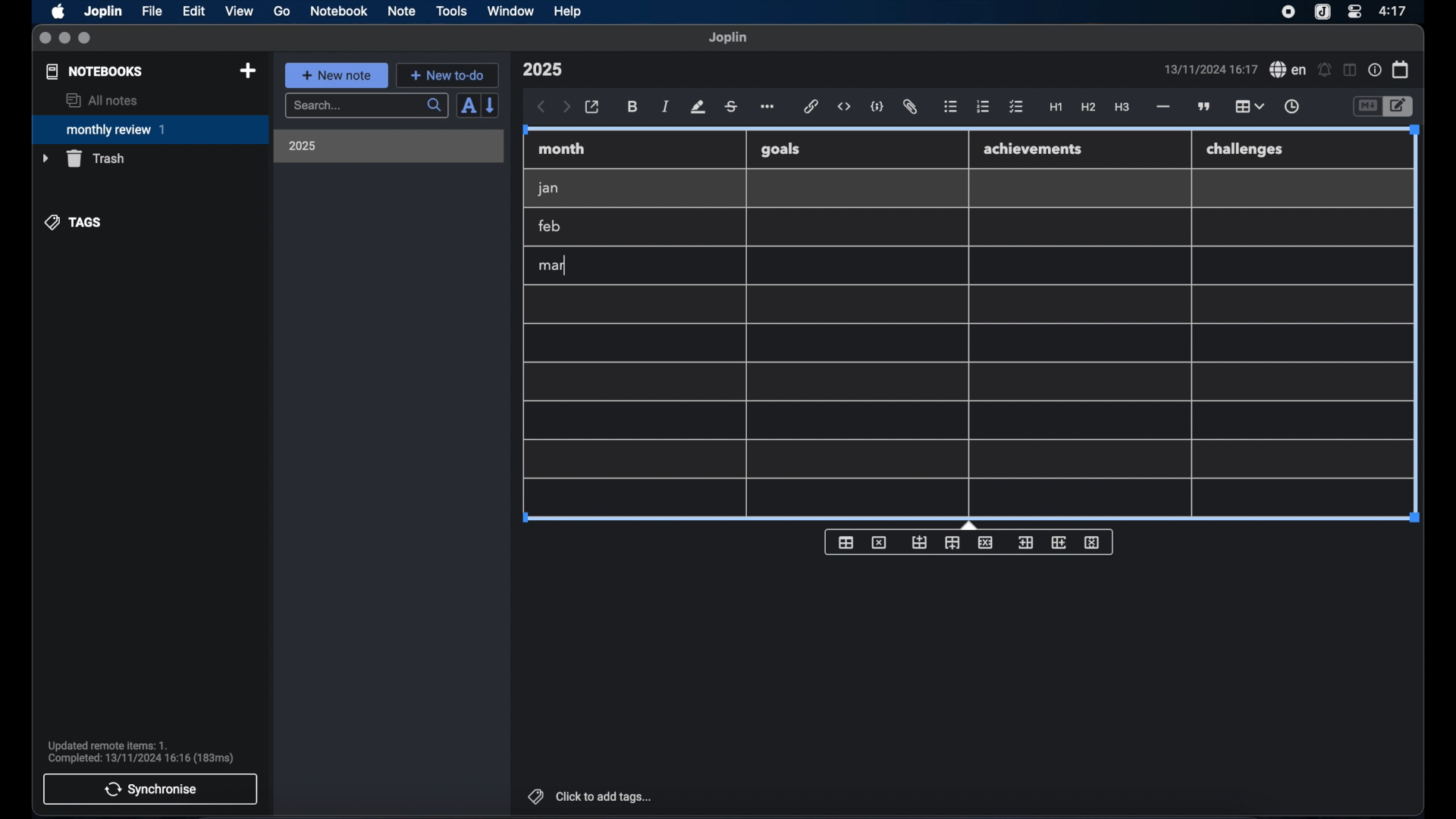  What do you see at coordinates (1288, 70) in the screenshot?
I see `spel check` at bounding box center [1288, 70].